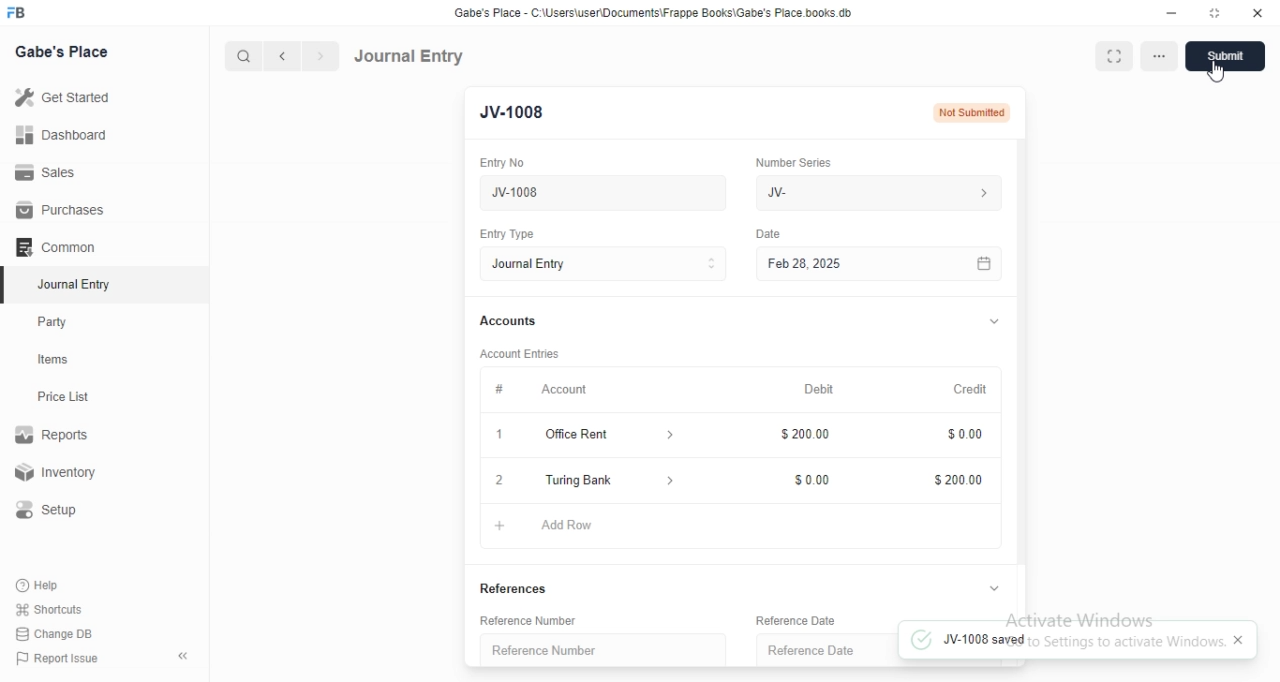 The width and height of the screenshot is (1280, 682). Describe the element at coordinates (49, 608) in the screenshot. I see `Shortcuts` at that location.